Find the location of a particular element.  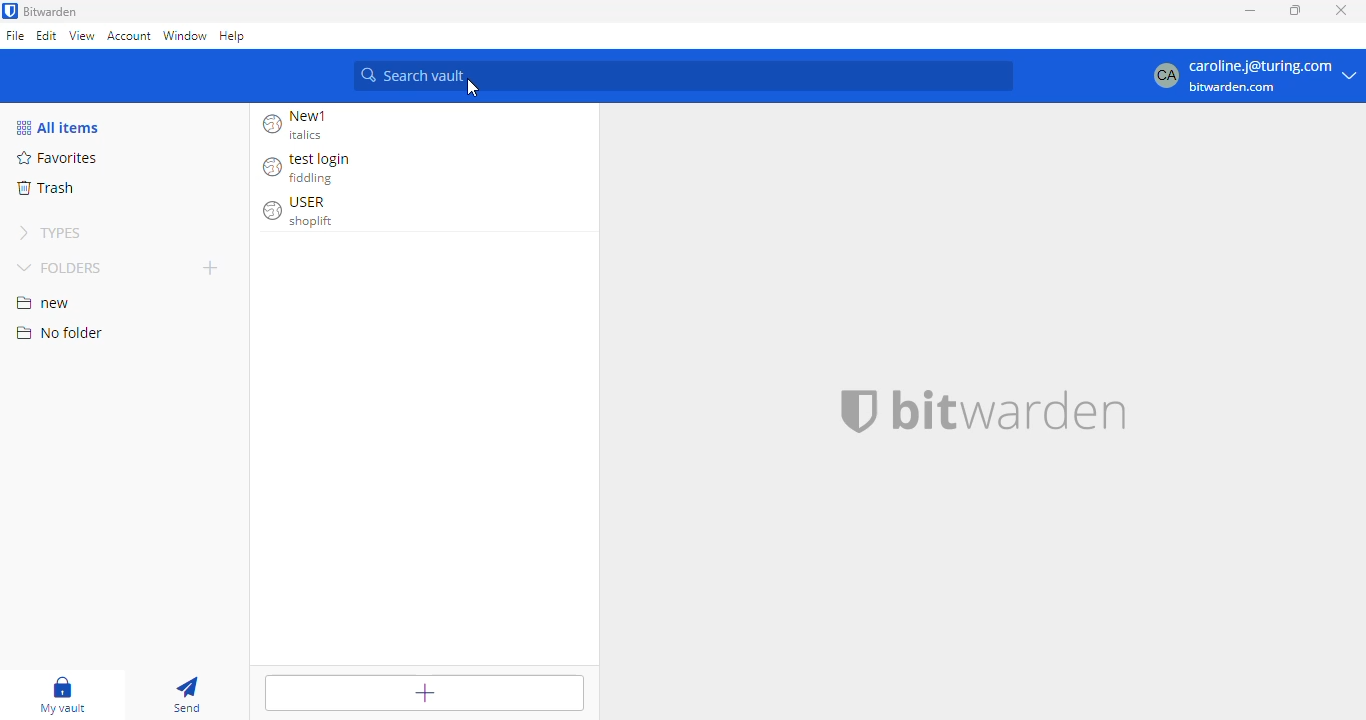

minimize is located at coordinates (1249, 11).